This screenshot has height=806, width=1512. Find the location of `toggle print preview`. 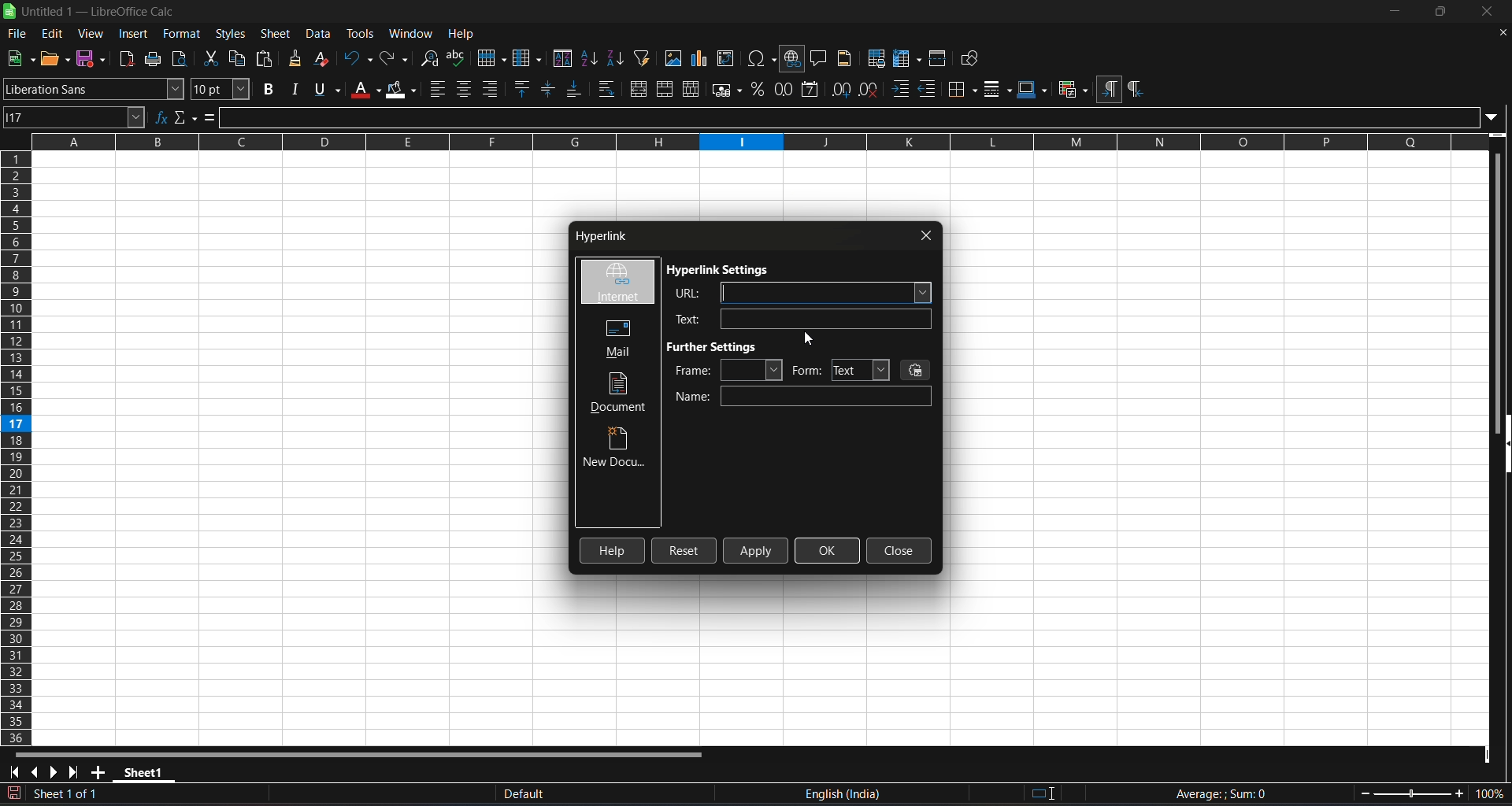

toggle print preview is located at coordinates (183, 59).